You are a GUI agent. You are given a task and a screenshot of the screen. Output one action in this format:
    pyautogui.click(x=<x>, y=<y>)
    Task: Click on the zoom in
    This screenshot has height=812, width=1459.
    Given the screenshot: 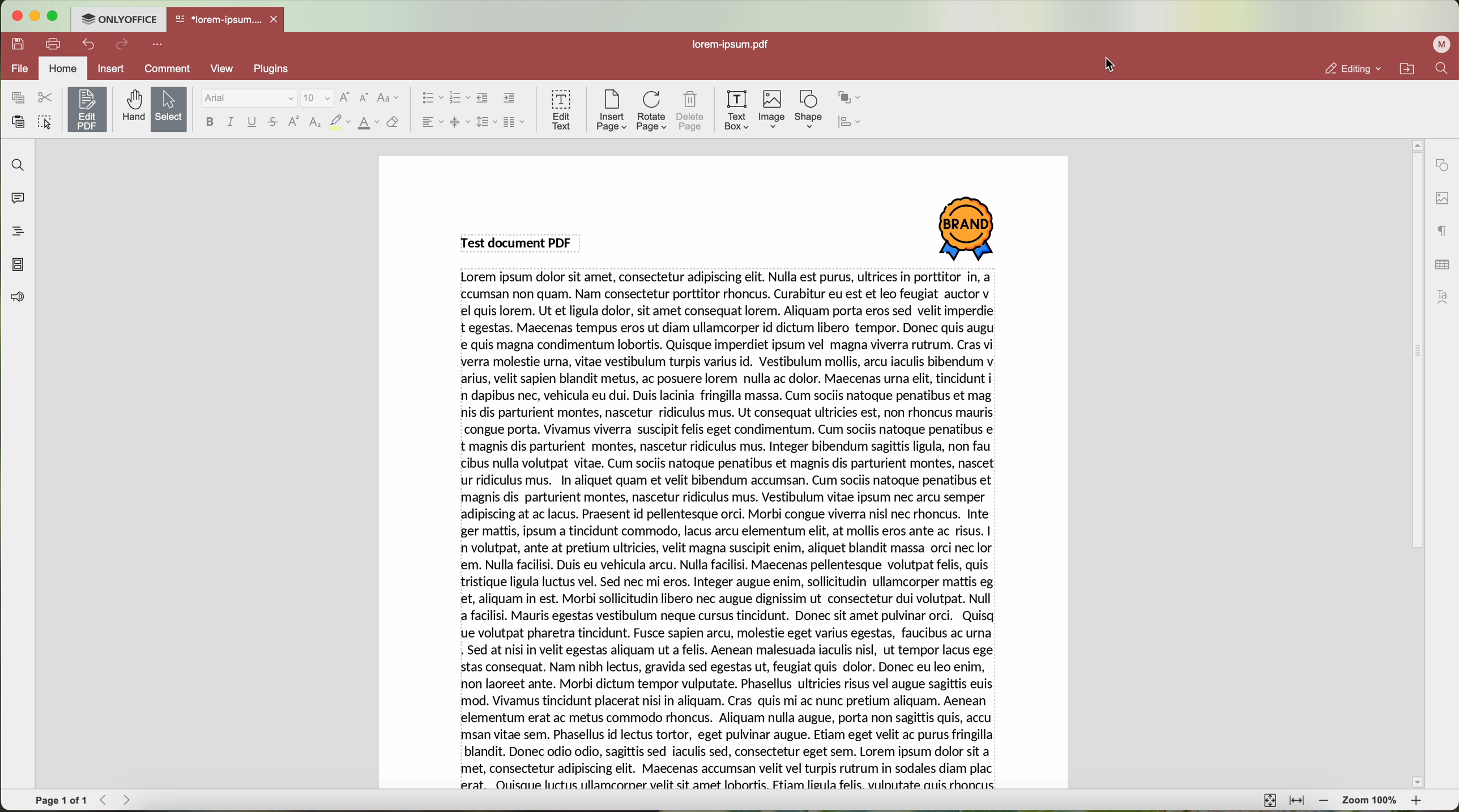 What is the action you would take?
    pyautogui.click(x=1418, y=803)
    